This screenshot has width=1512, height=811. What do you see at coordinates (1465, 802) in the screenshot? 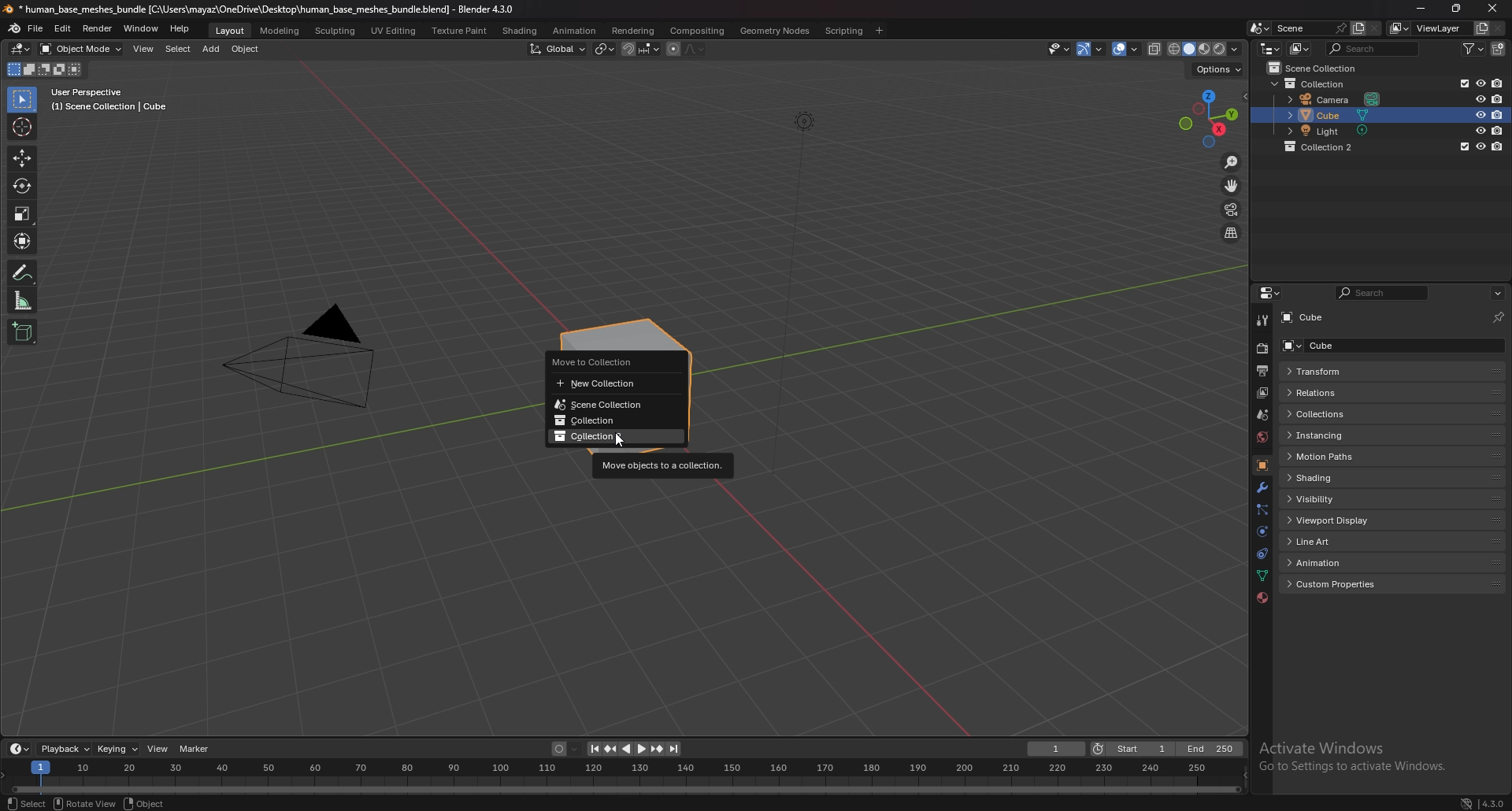
I see `network` at bounding box center [1465, 802].